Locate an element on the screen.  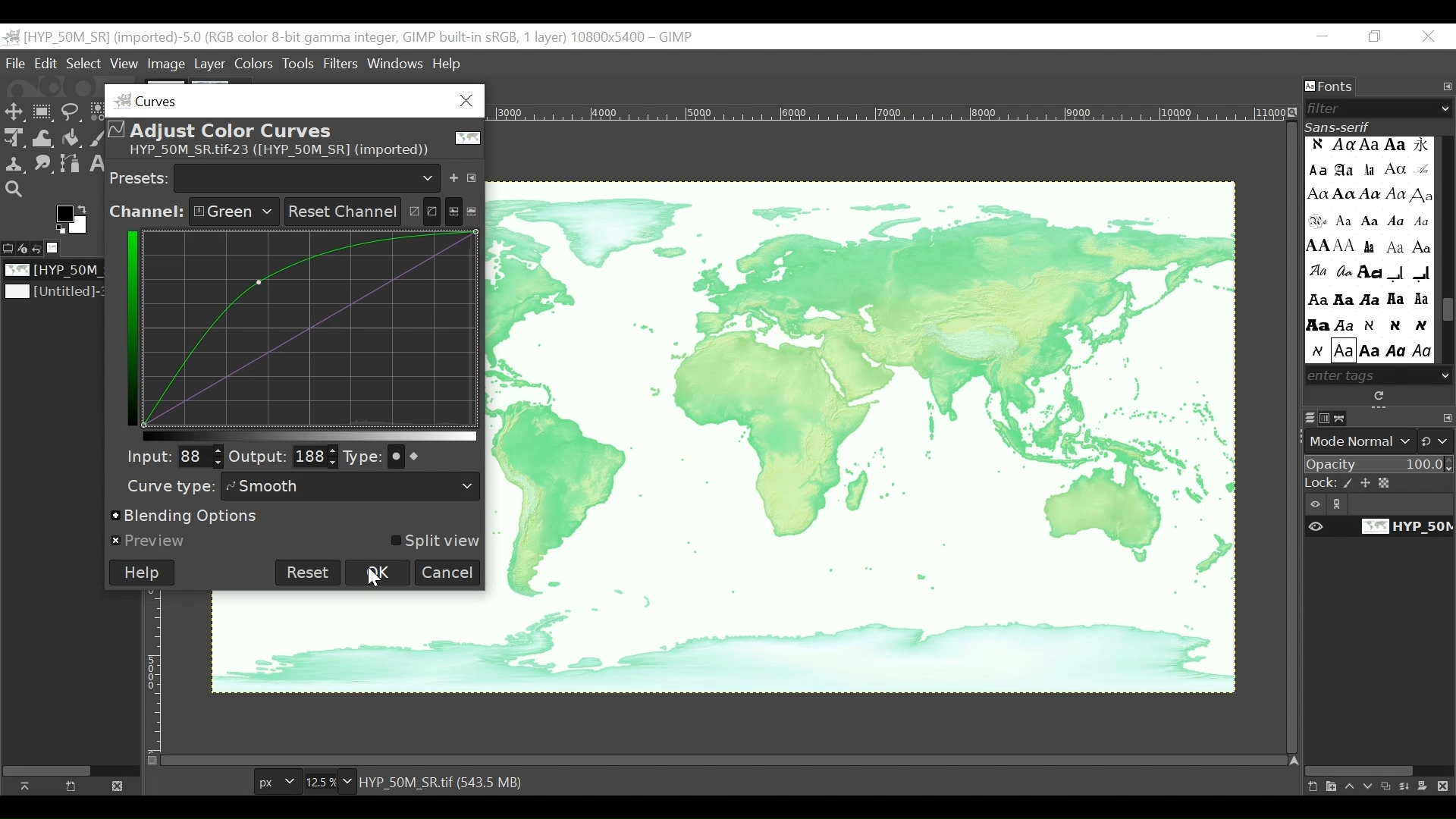
Windows is located at coordinates (397, 61).